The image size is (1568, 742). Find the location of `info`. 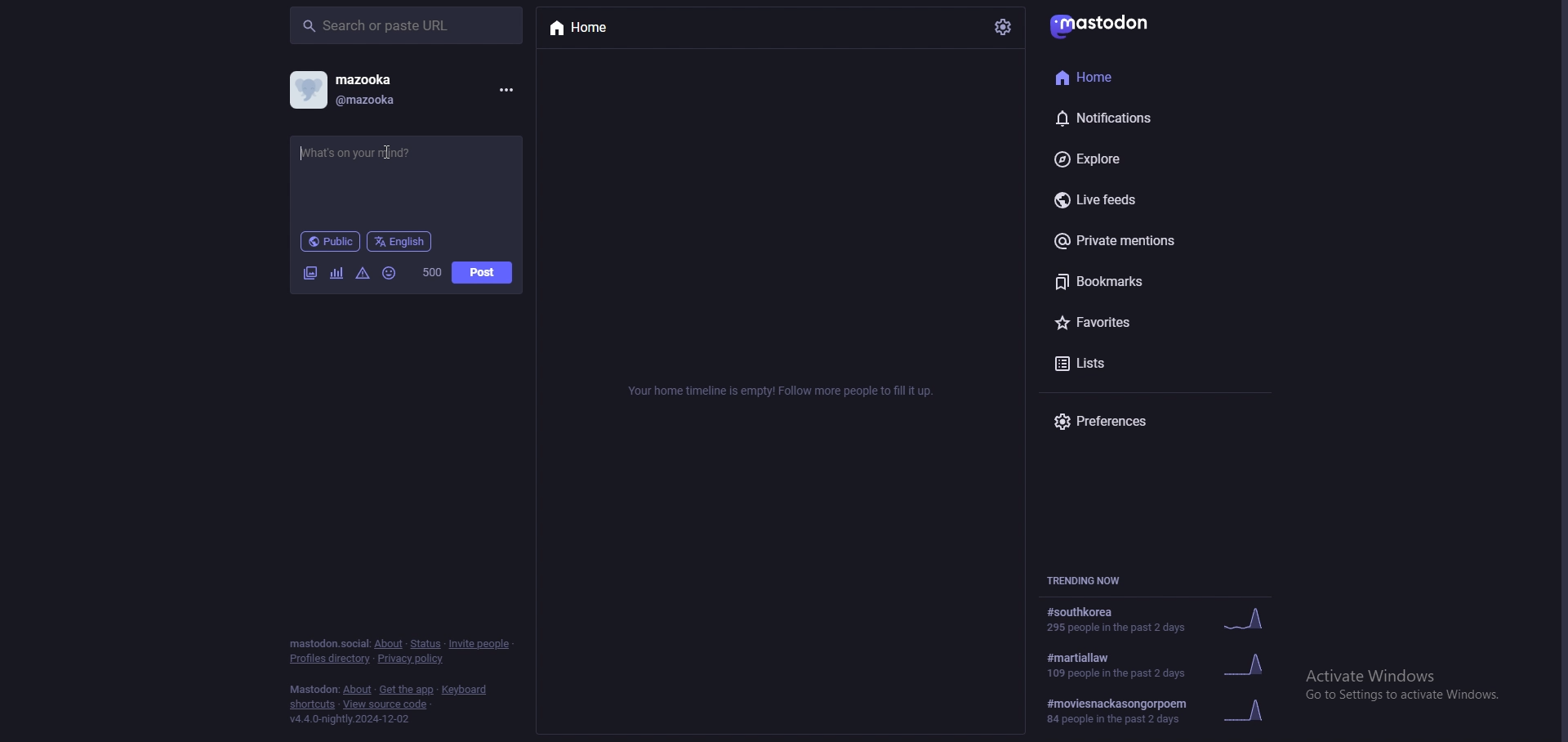

info is located at coordinates (779, 389).